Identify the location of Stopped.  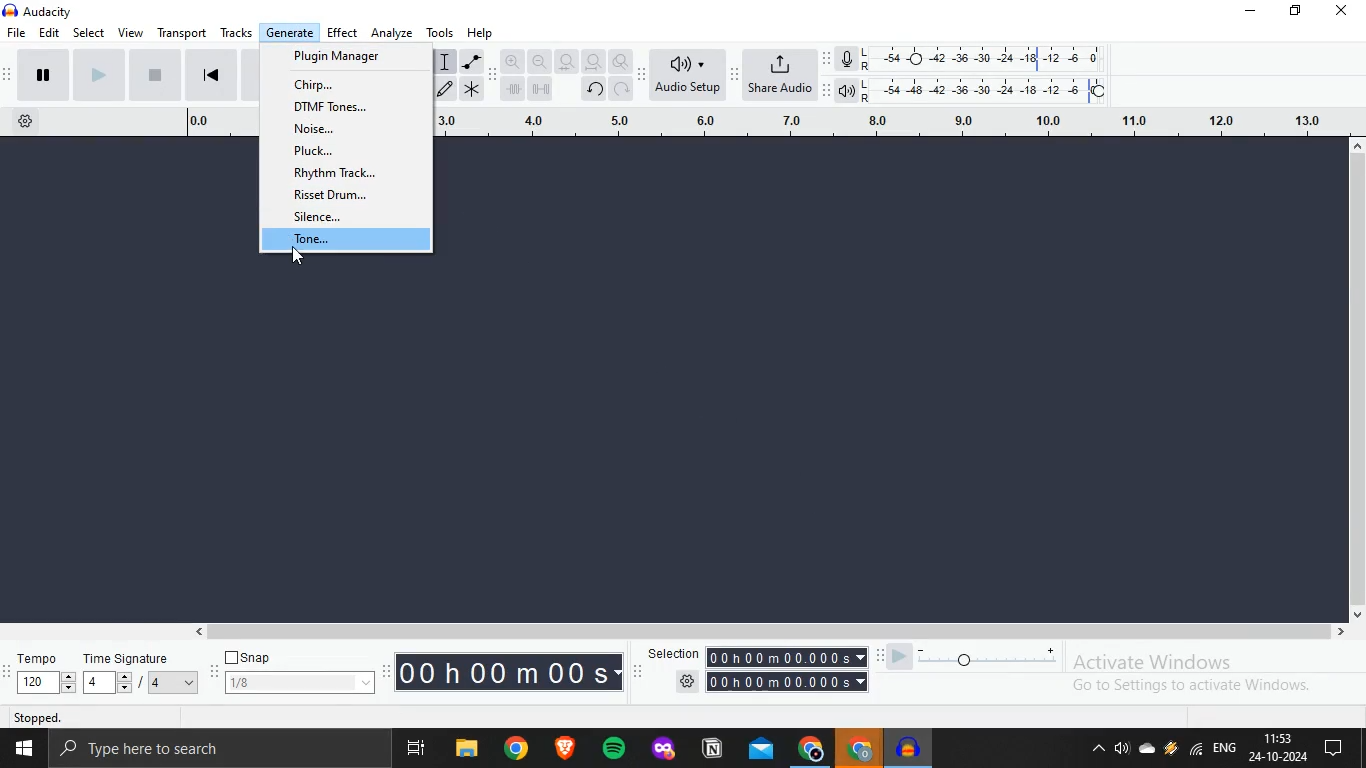
(107, 716).